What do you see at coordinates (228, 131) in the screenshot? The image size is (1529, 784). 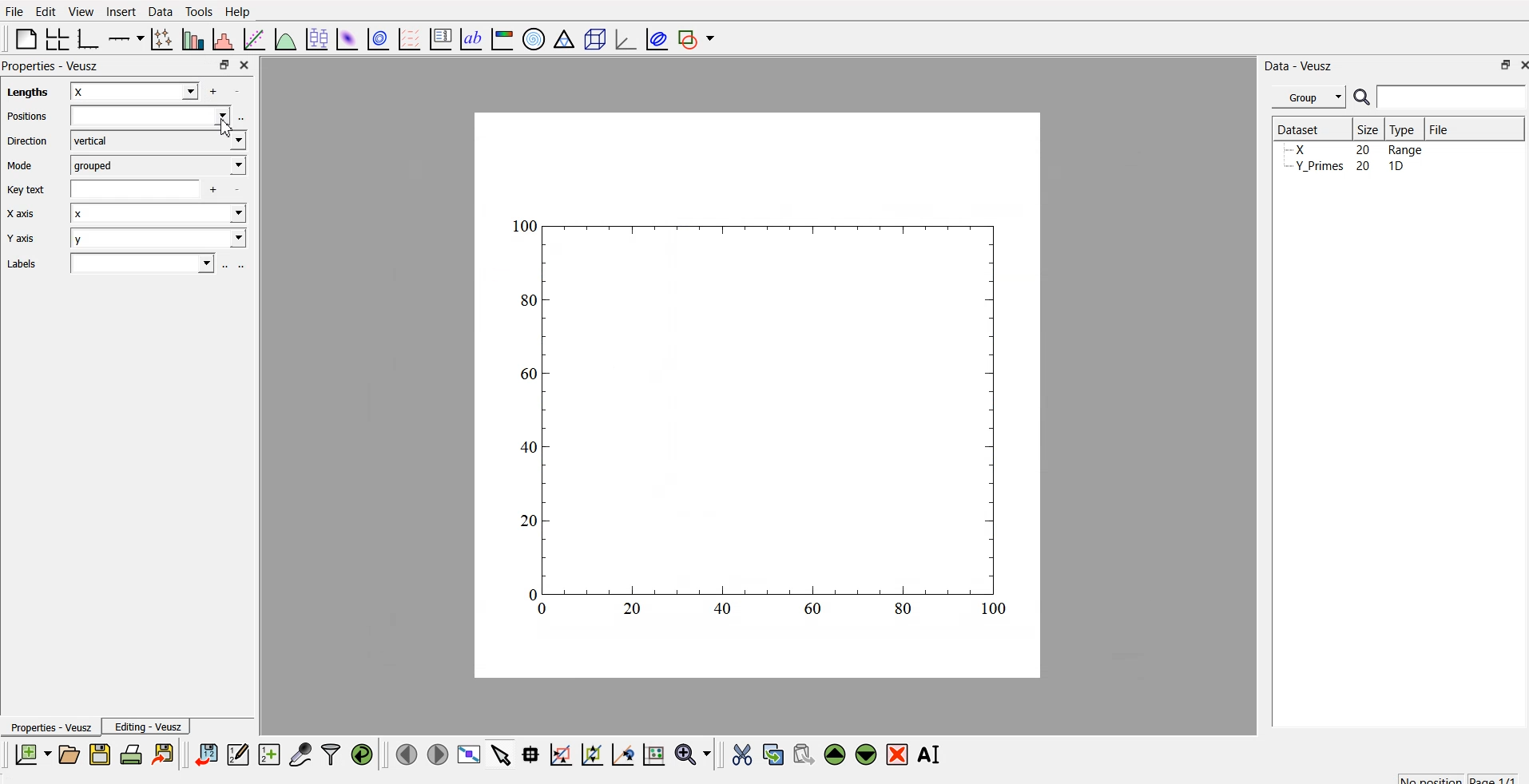 I see `cursor` at bounding box center [228, 131].